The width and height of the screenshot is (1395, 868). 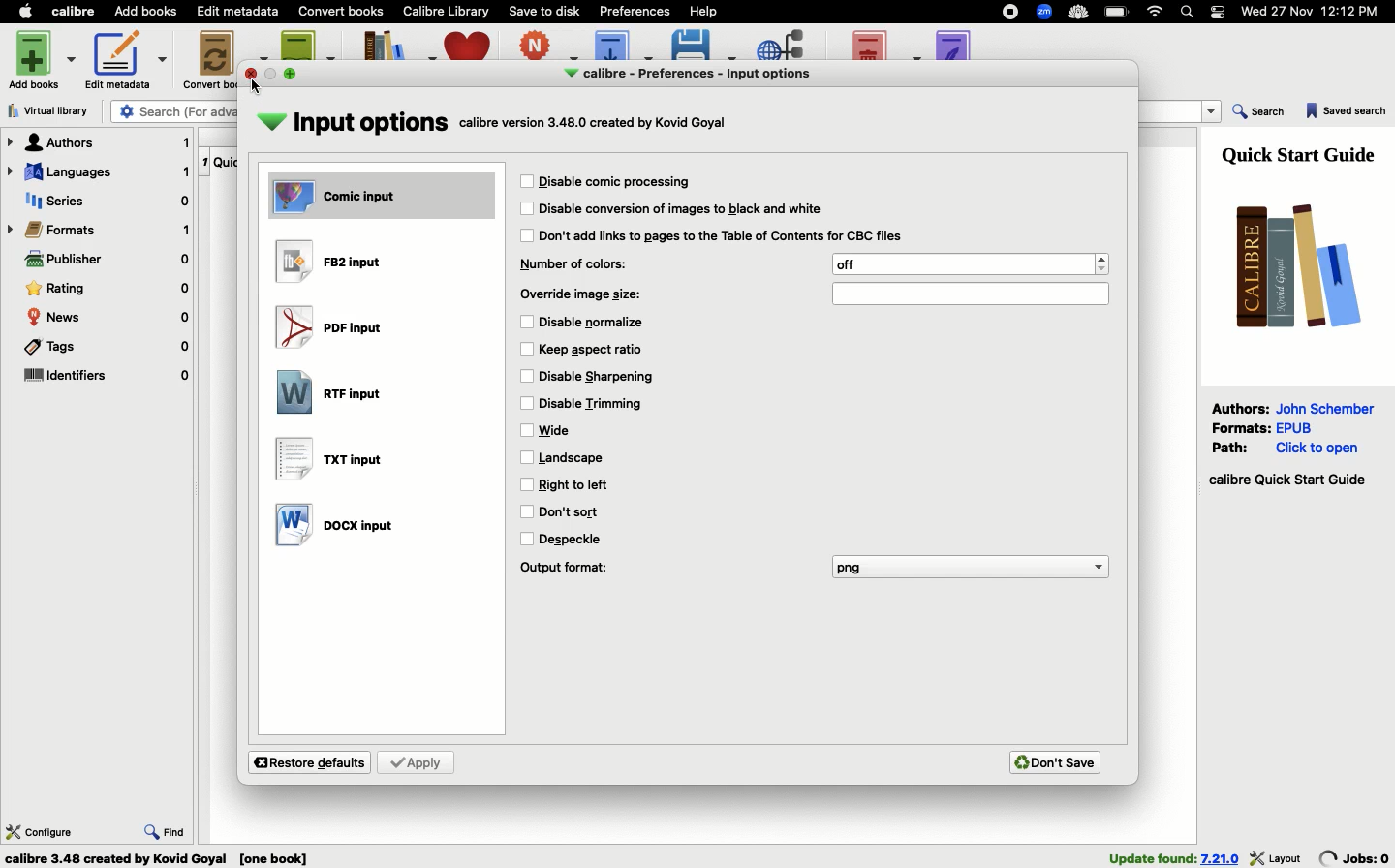 I want to click on Disable, so click(x=723, y=235).